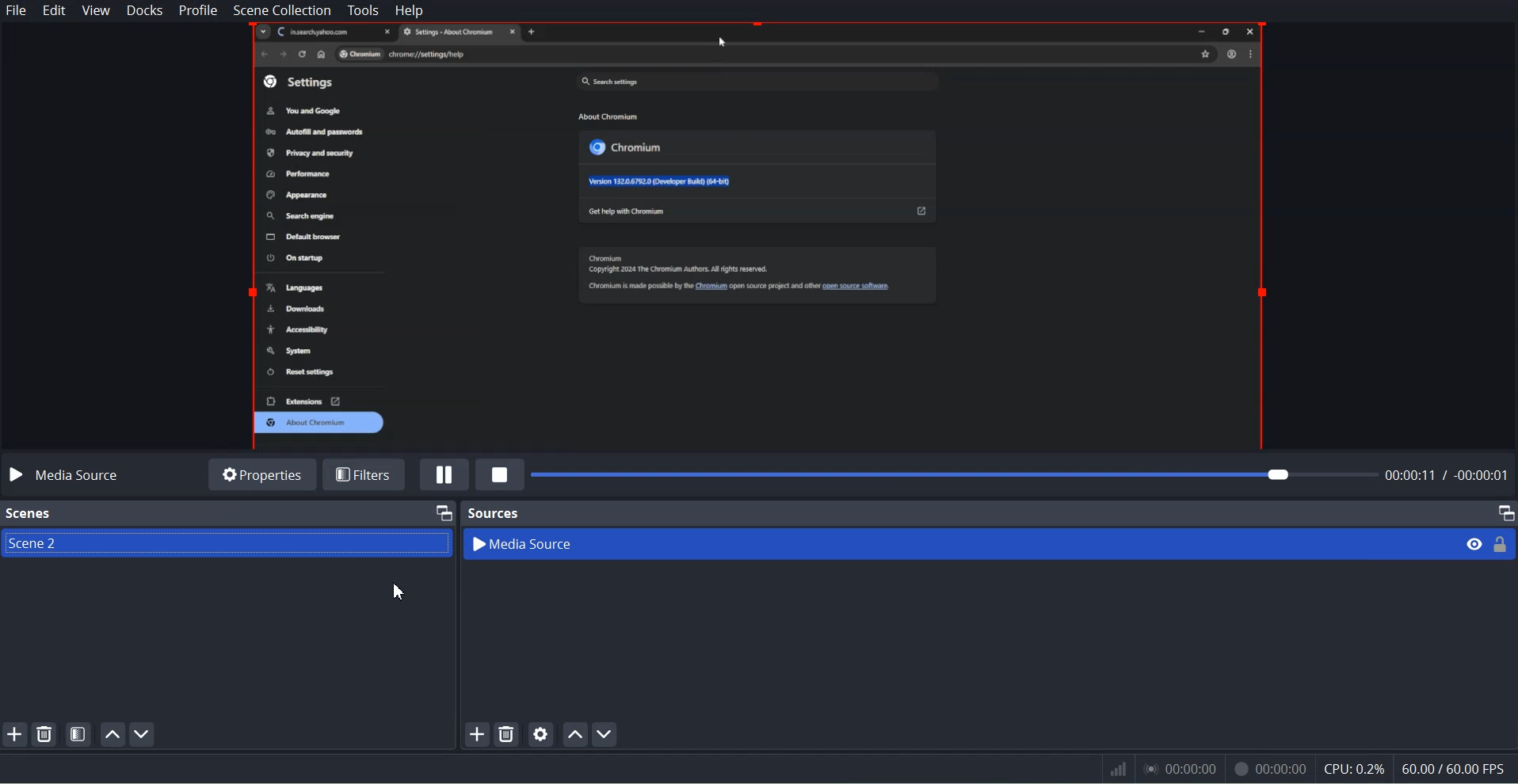 Image resolution: width=1518 pixels, height=784 pixels. Describe the element at coordinates (409, 10) in the screenshot. I see `Help` at that location.